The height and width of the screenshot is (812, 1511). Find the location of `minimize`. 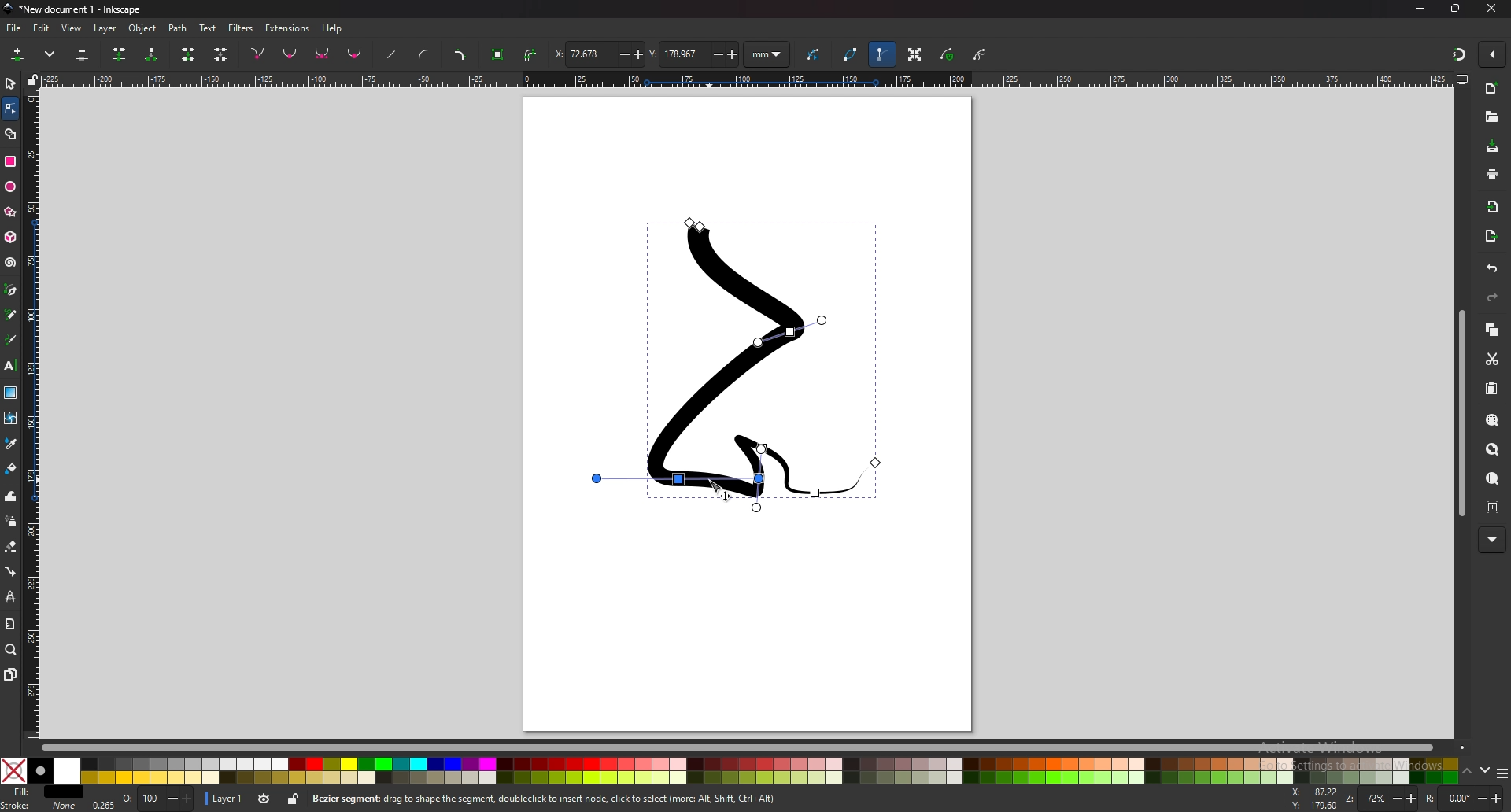

minimize is located at coordinates (1420, 9).